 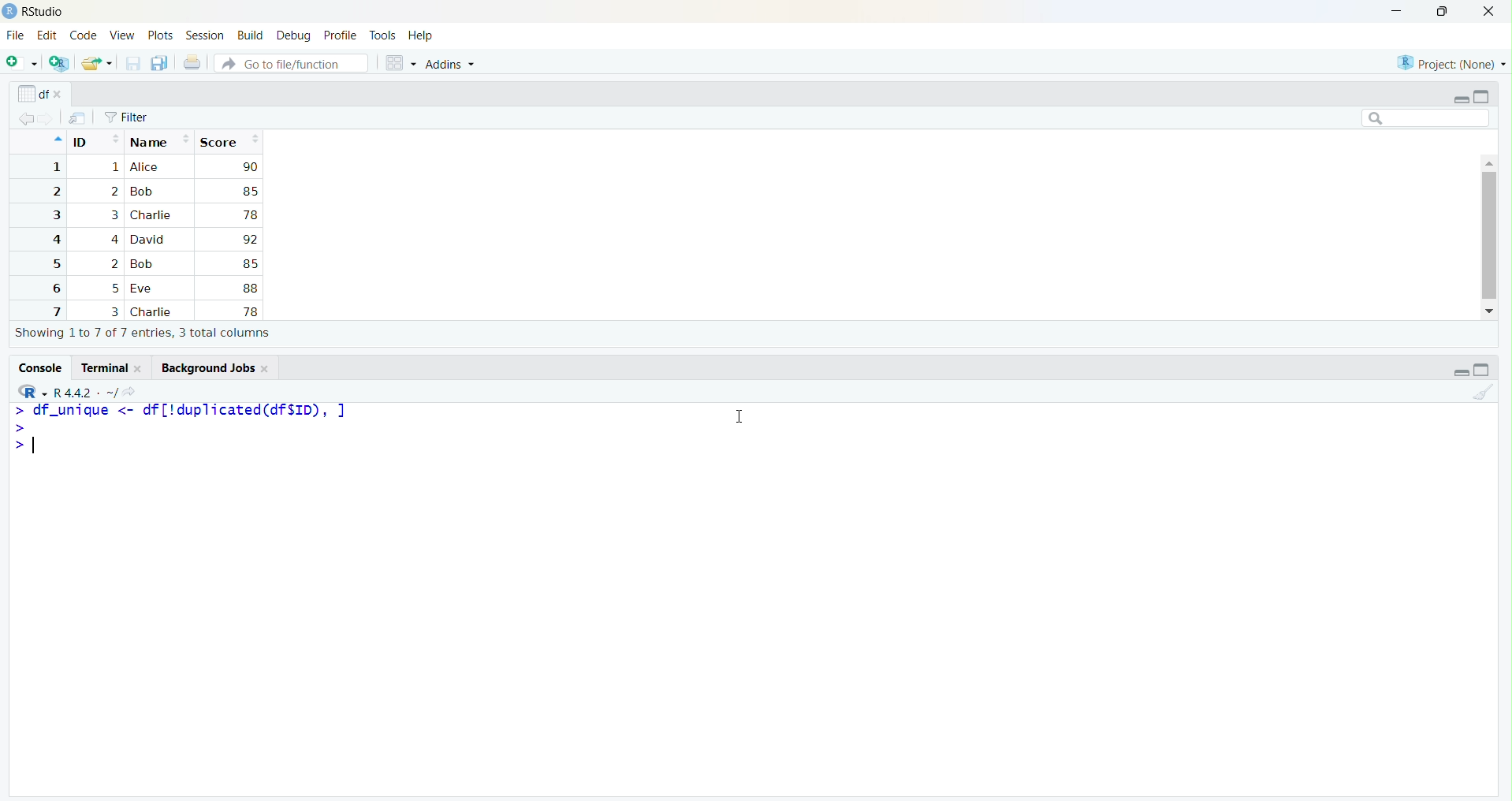 I want to click on back, so click(x=26, y=119).